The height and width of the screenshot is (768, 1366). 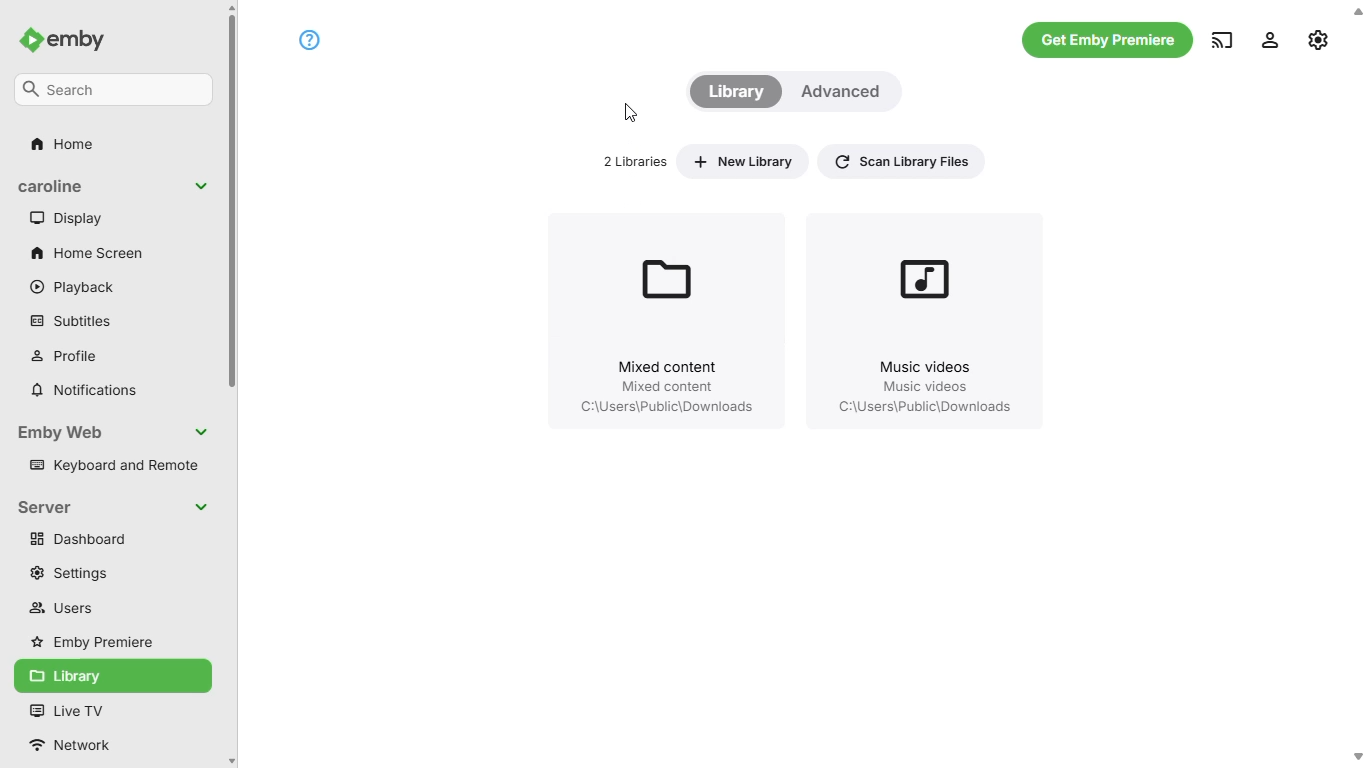 What do you see at coordinates (924, 318) in the screenshot?
I see `Music videos
C:\Users\Public\Downloads.` at bounding box center [924, 318].